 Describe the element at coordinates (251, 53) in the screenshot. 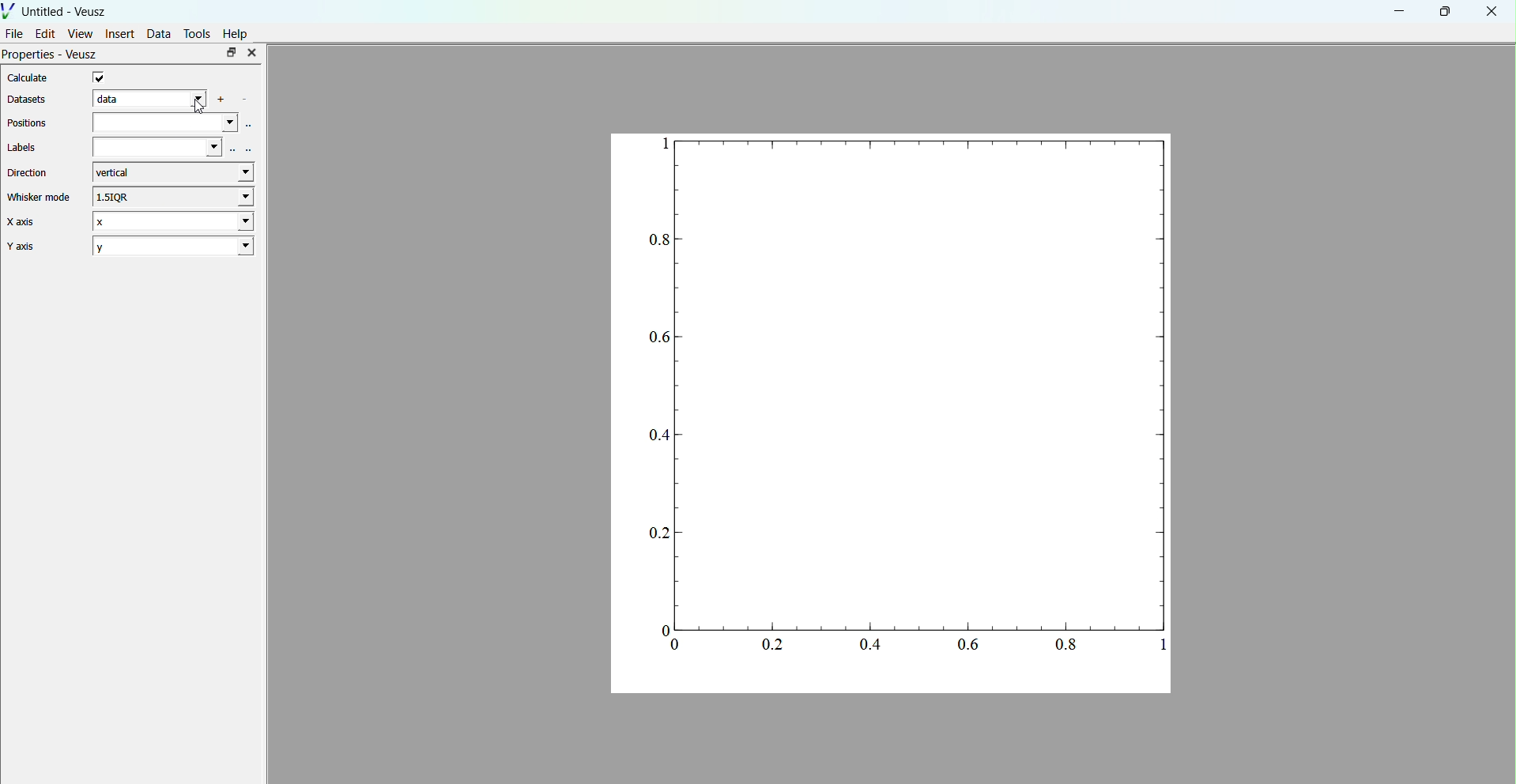

I see `close` at that location.